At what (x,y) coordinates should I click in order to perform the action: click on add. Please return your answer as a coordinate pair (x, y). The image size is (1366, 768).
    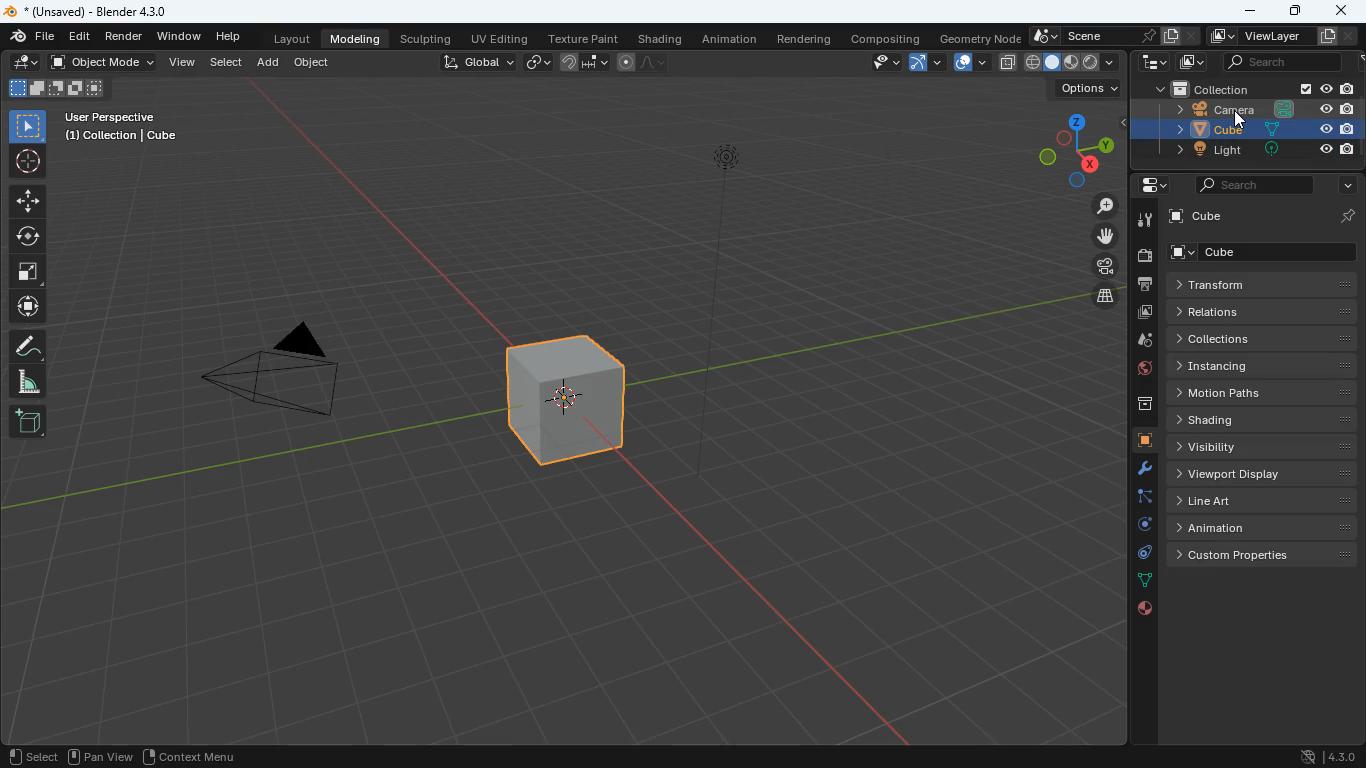
    Looking at the image, I should click on (267, 64).